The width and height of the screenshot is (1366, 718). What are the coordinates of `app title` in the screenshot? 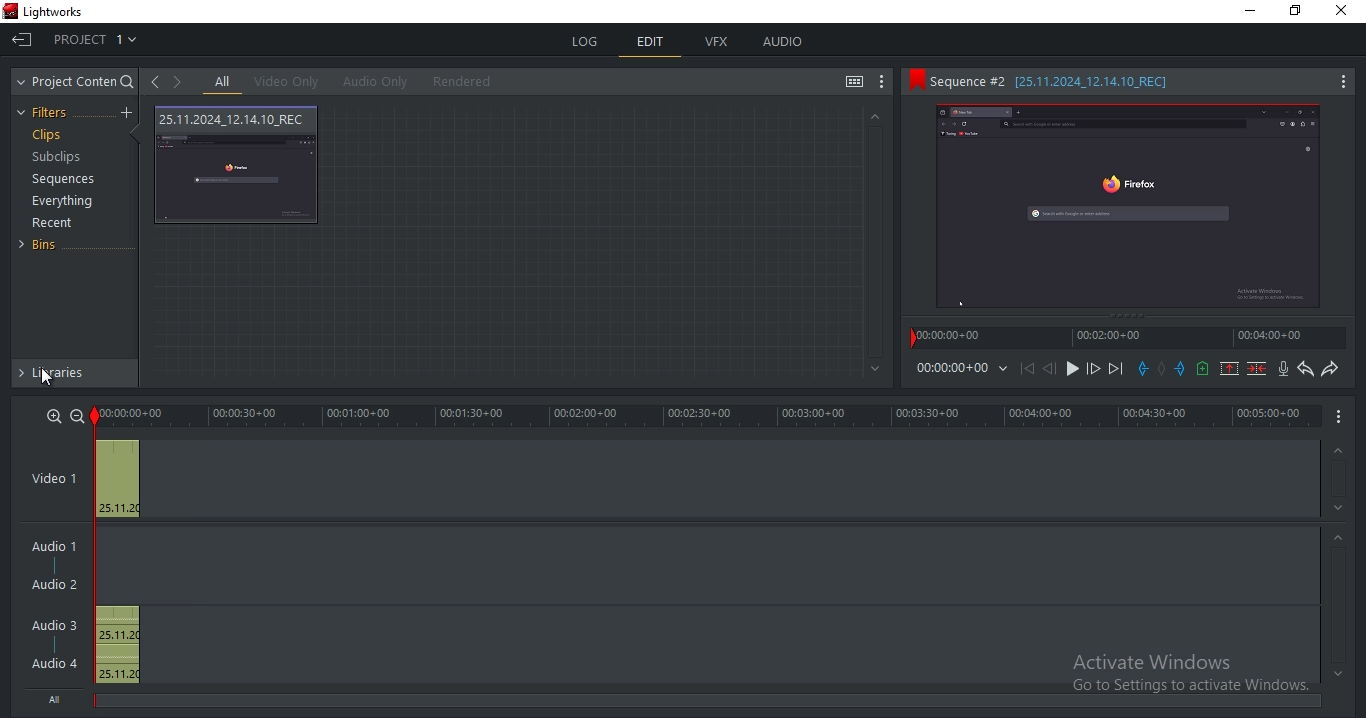 It's located at (47, 13).